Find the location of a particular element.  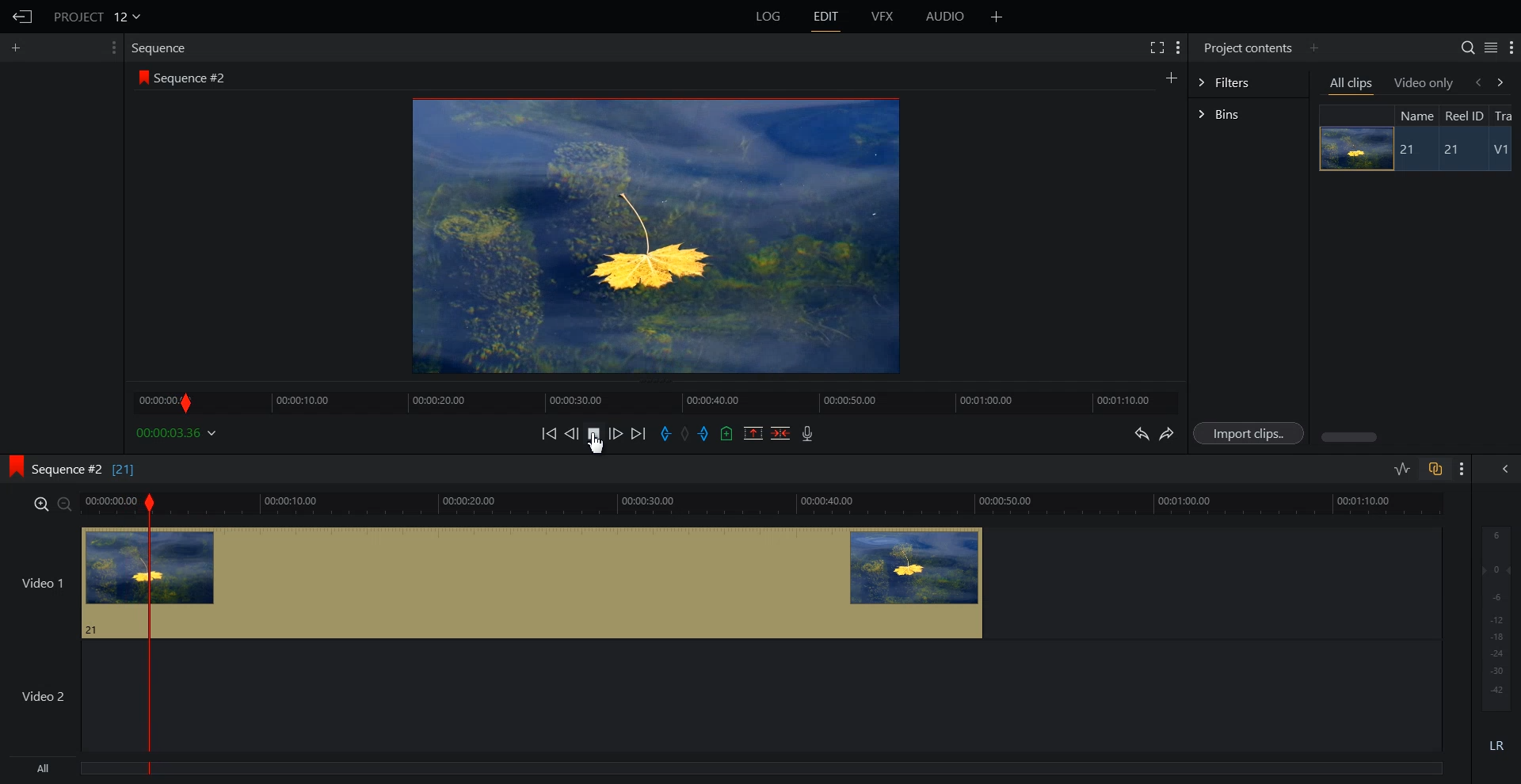

Project contents is located at coordinates (1246, 46).